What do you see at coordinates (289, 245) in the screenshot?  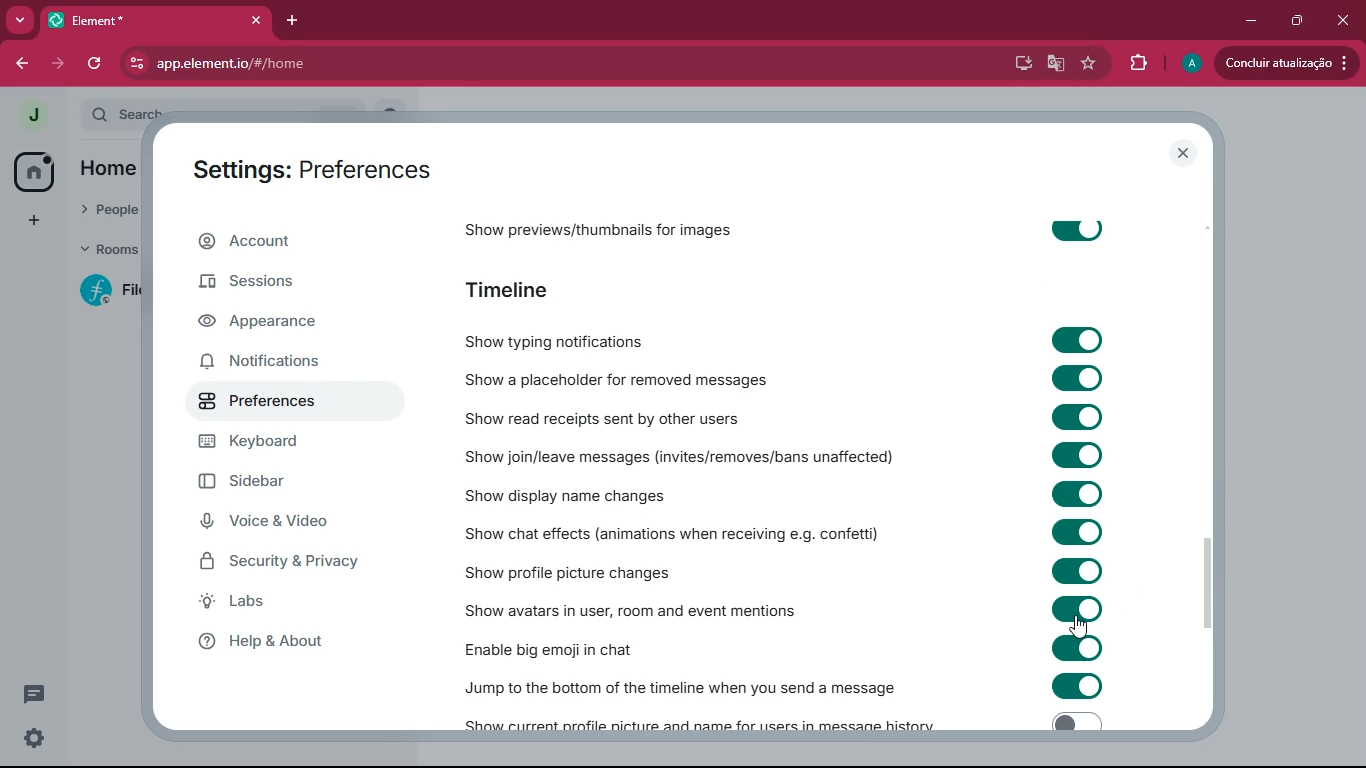 I see `account` at bounding box center [289, 245].